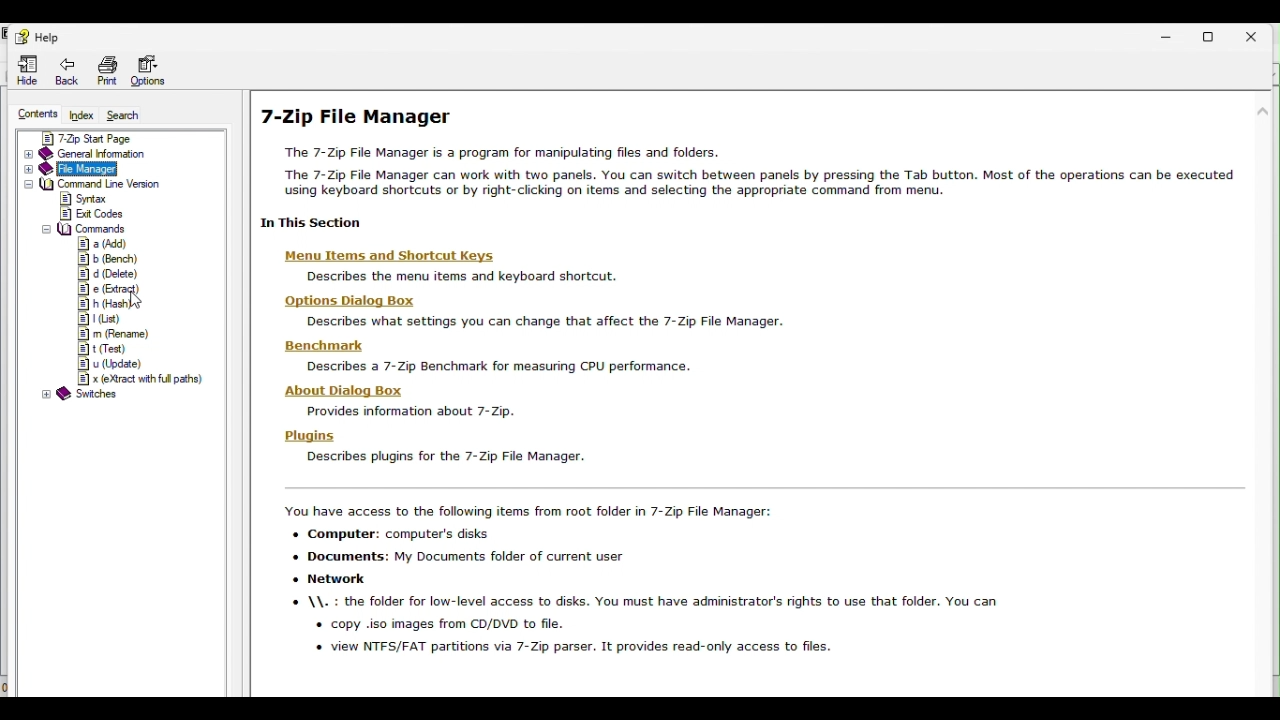 The width and height of the screenshot is (1280, 720). I want to click on Commands, so click(83, 229).